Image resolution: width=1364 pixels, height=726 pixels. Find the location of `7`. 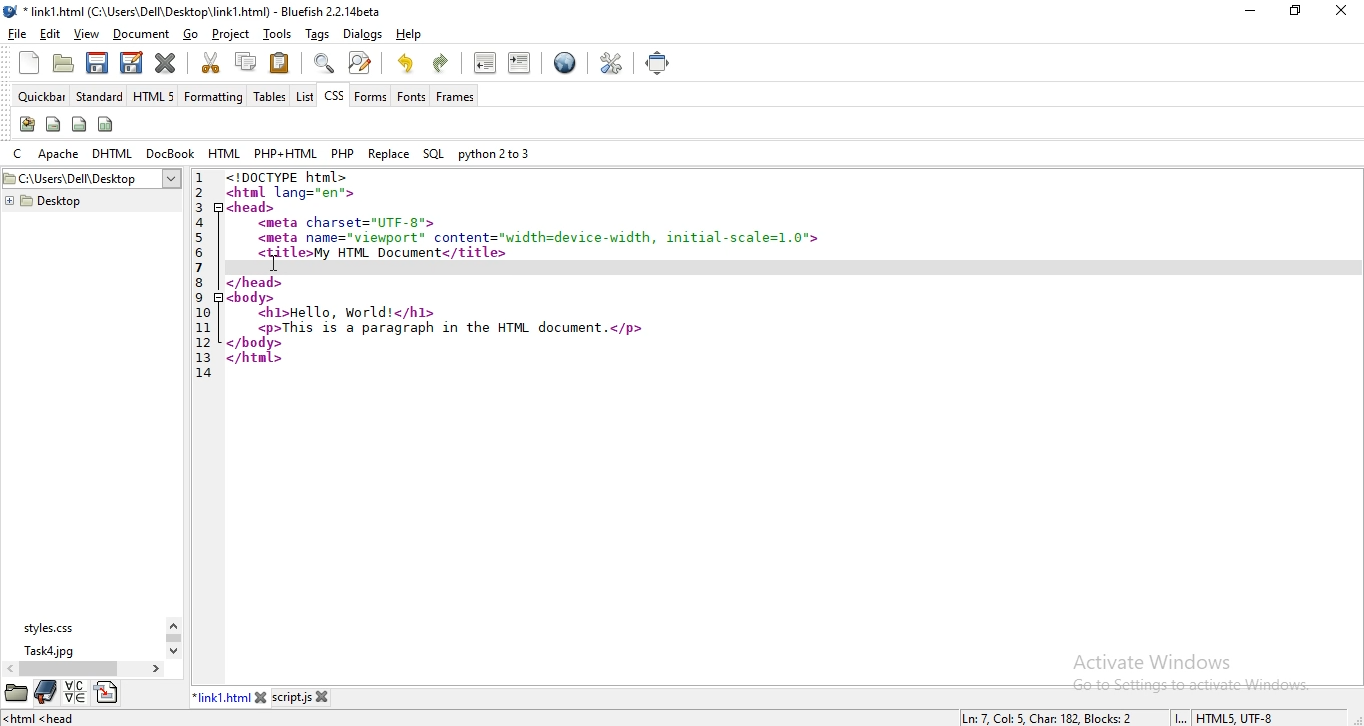

7 is located at coordinates (199, 268).